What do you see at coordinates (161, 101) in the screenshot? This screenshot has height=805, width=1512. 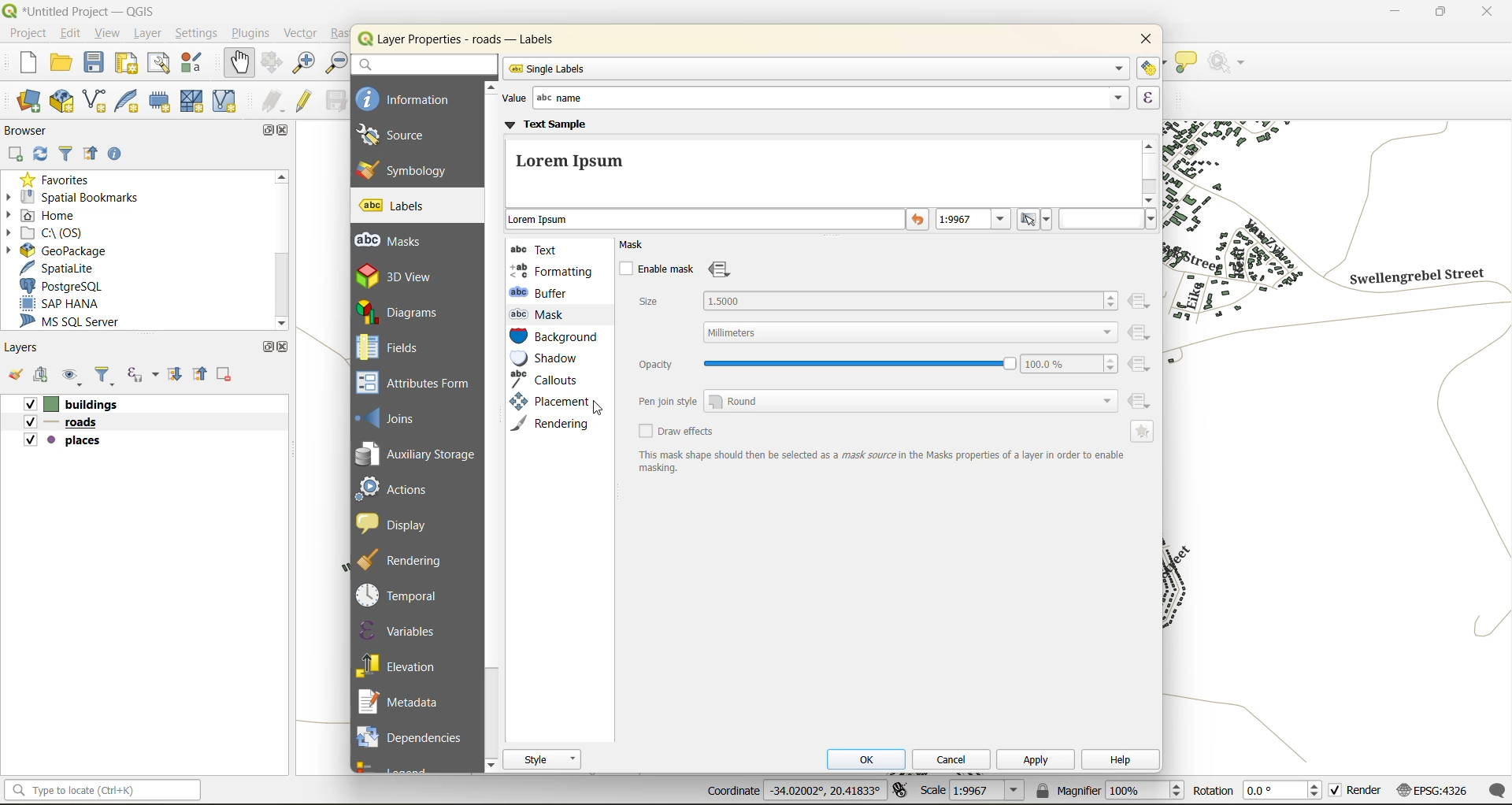 I see `temporary scratch layer` at bounding box center [161, 101].